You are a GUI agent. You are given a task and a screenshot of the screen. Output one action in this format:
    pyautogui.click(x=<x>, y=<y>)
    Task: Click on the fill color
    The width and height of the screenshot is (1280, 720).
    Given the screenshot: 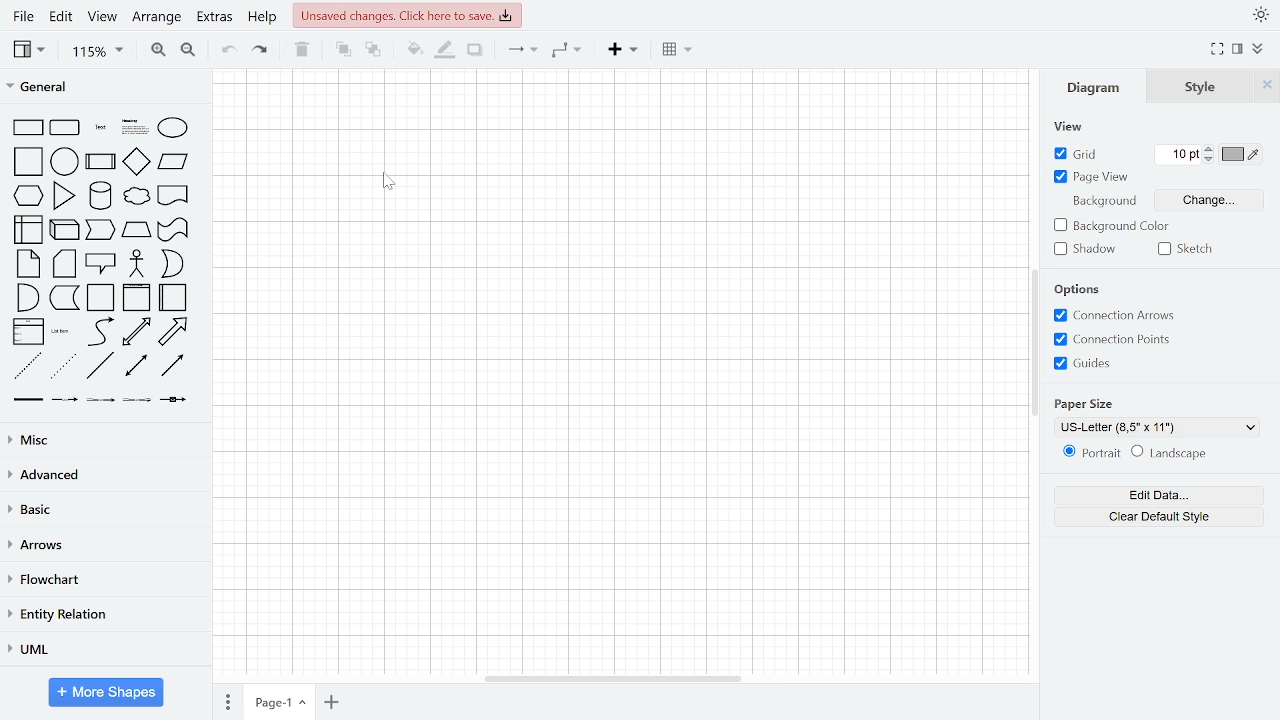 What is the action you would take?
    pyautogui.click(x=413, y=48)
    